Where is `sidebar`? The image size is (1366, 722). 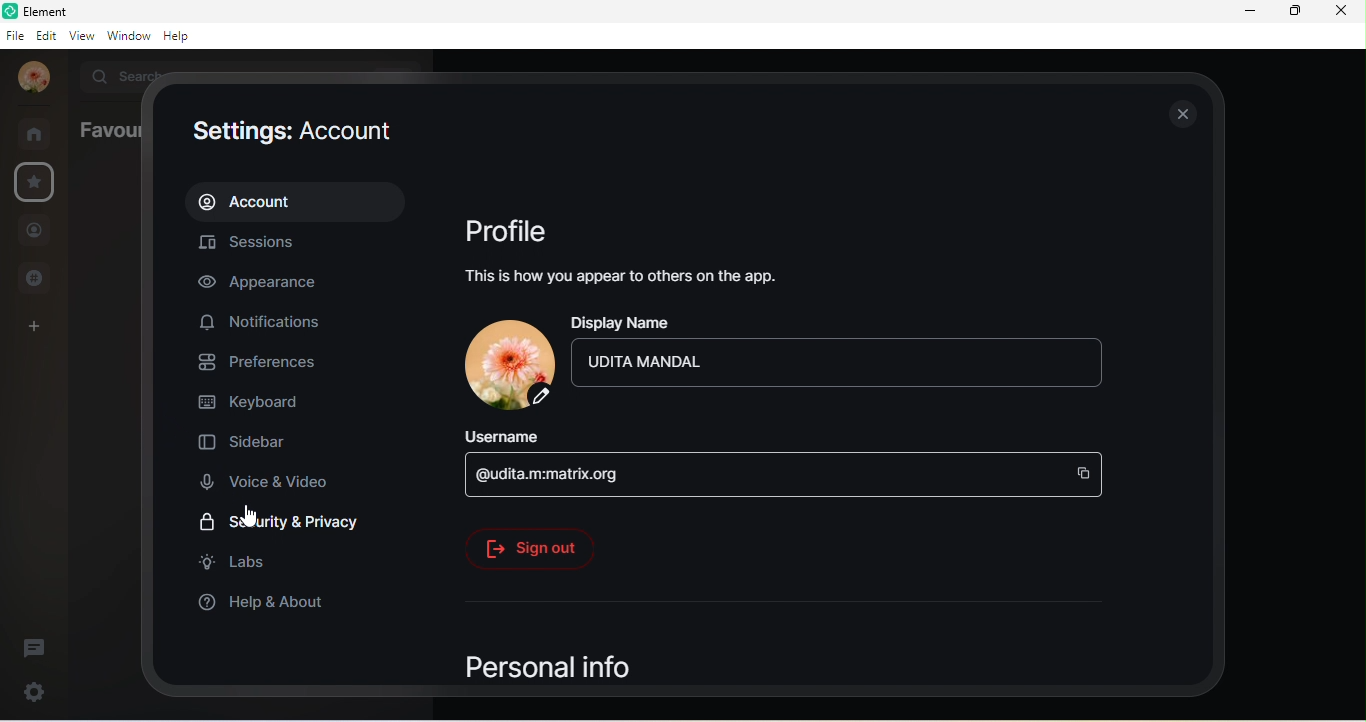
sidebar is located at coordinates (248, 438).